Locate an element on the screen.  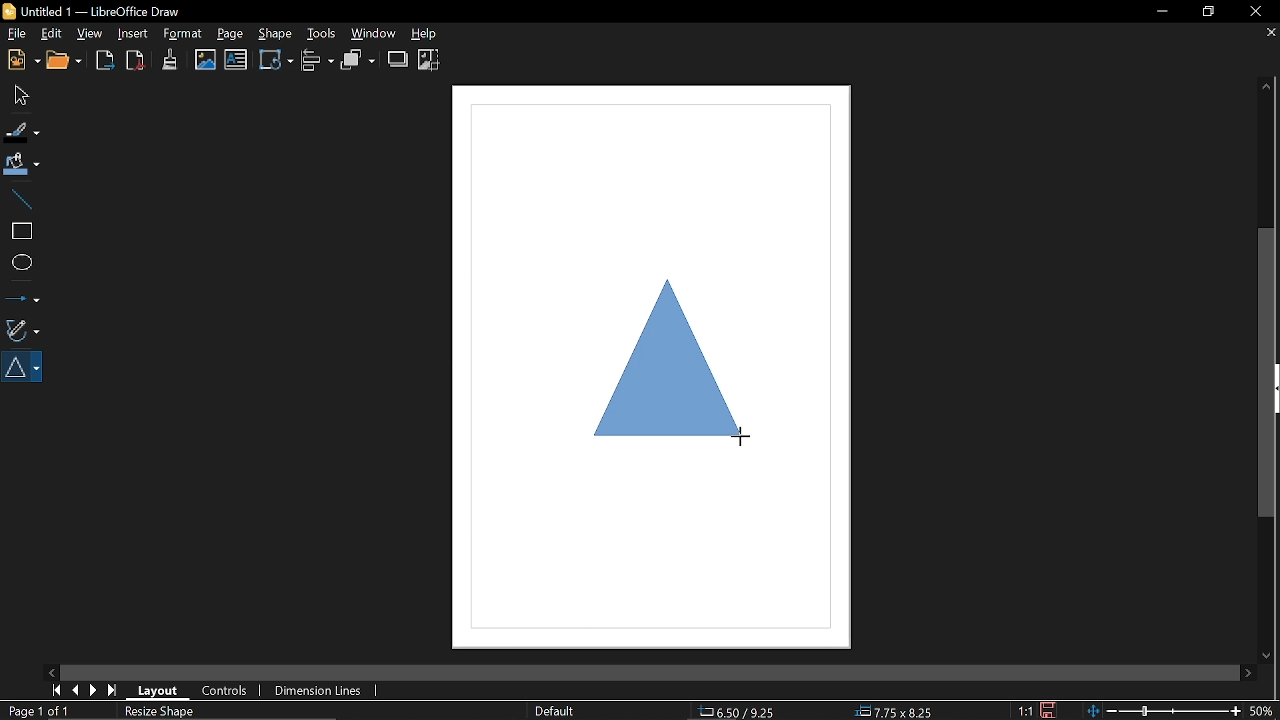
Move down is located at coordinates (1264, 655).